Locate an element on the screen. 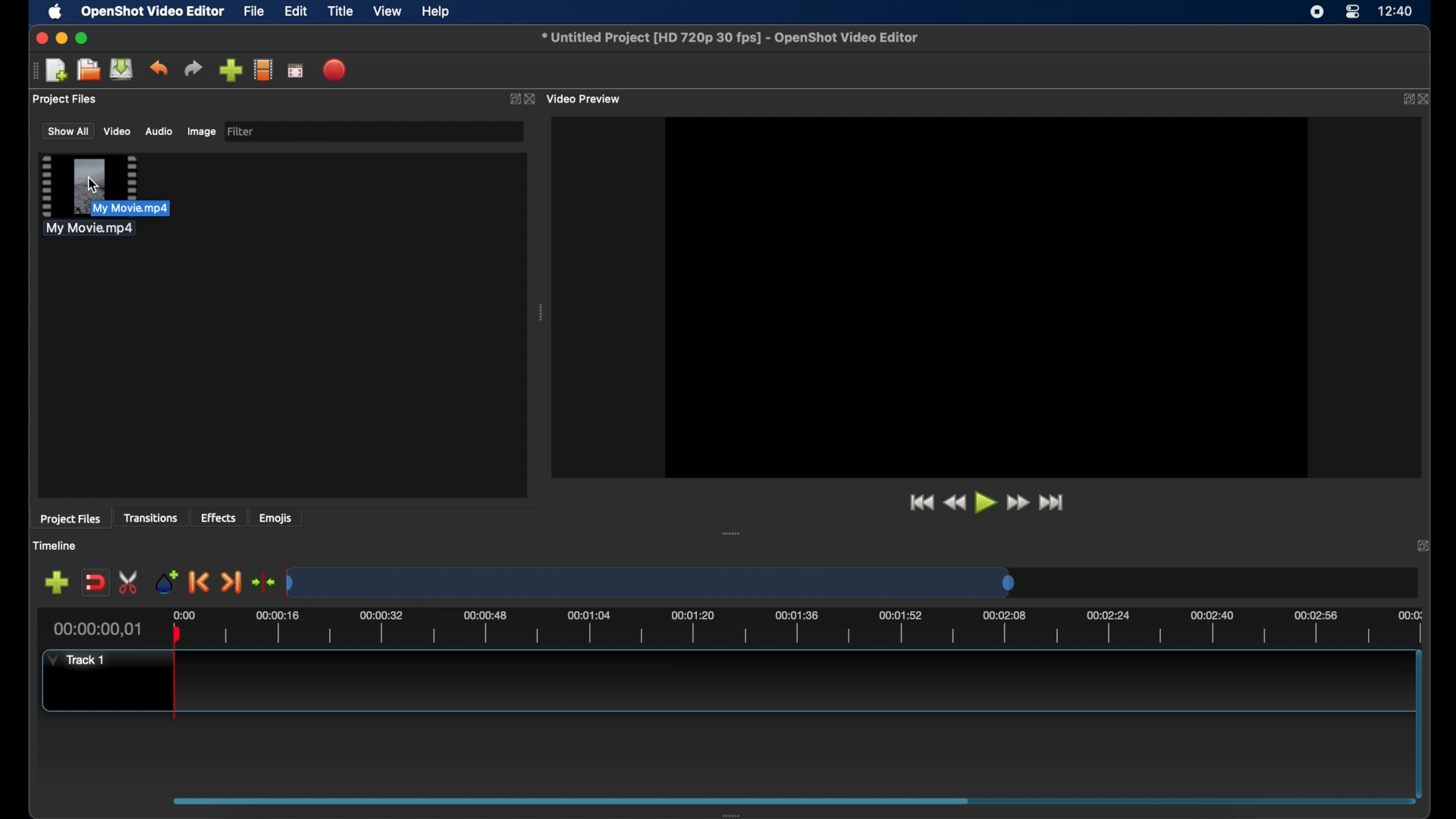 This screenshot has height=819, width=1456. enable razor is located at coordinates (130, 581).